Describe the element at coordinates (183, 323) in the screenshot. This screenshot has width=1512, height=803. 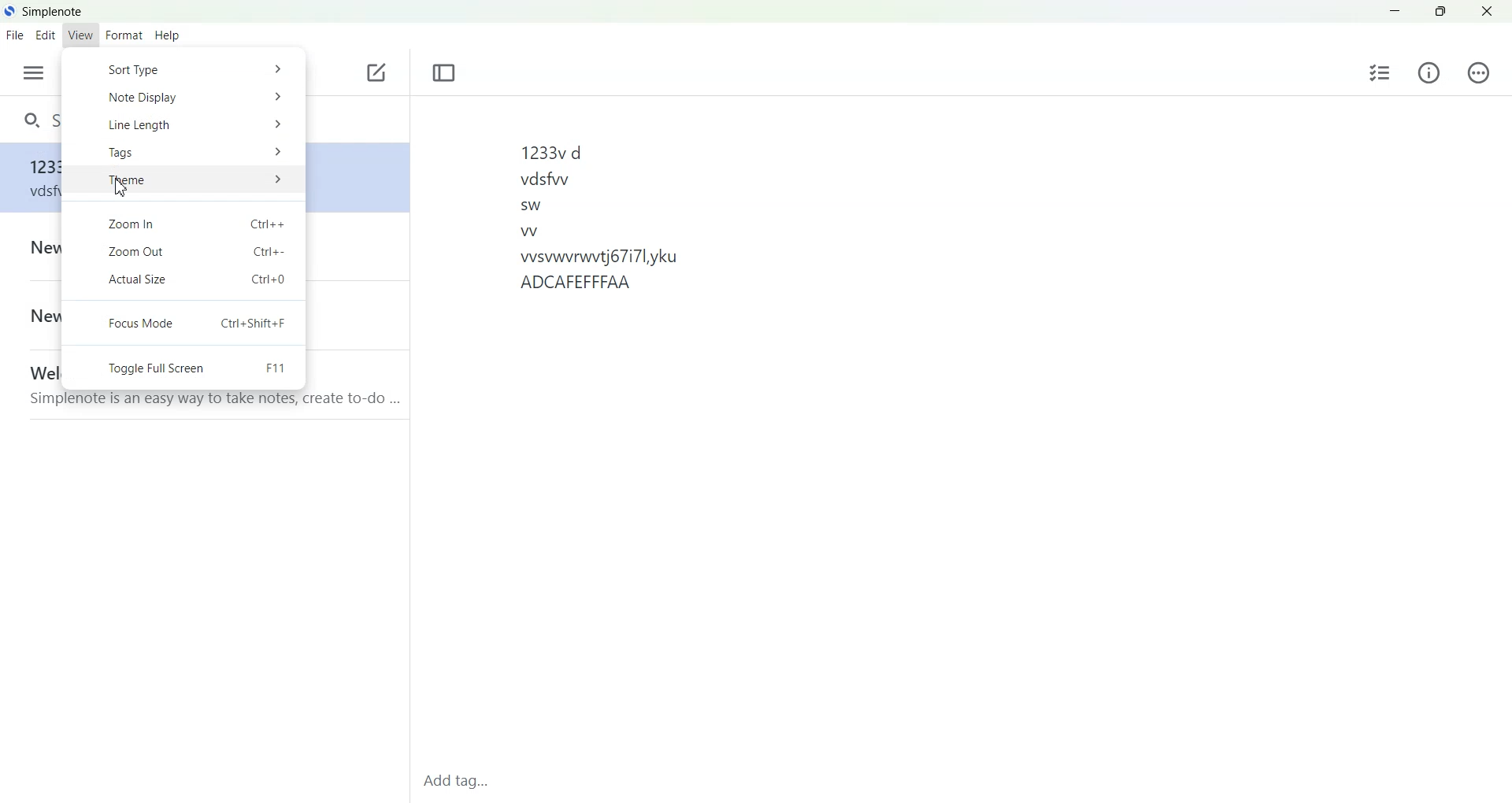
I see `Focus Mode` at that location.